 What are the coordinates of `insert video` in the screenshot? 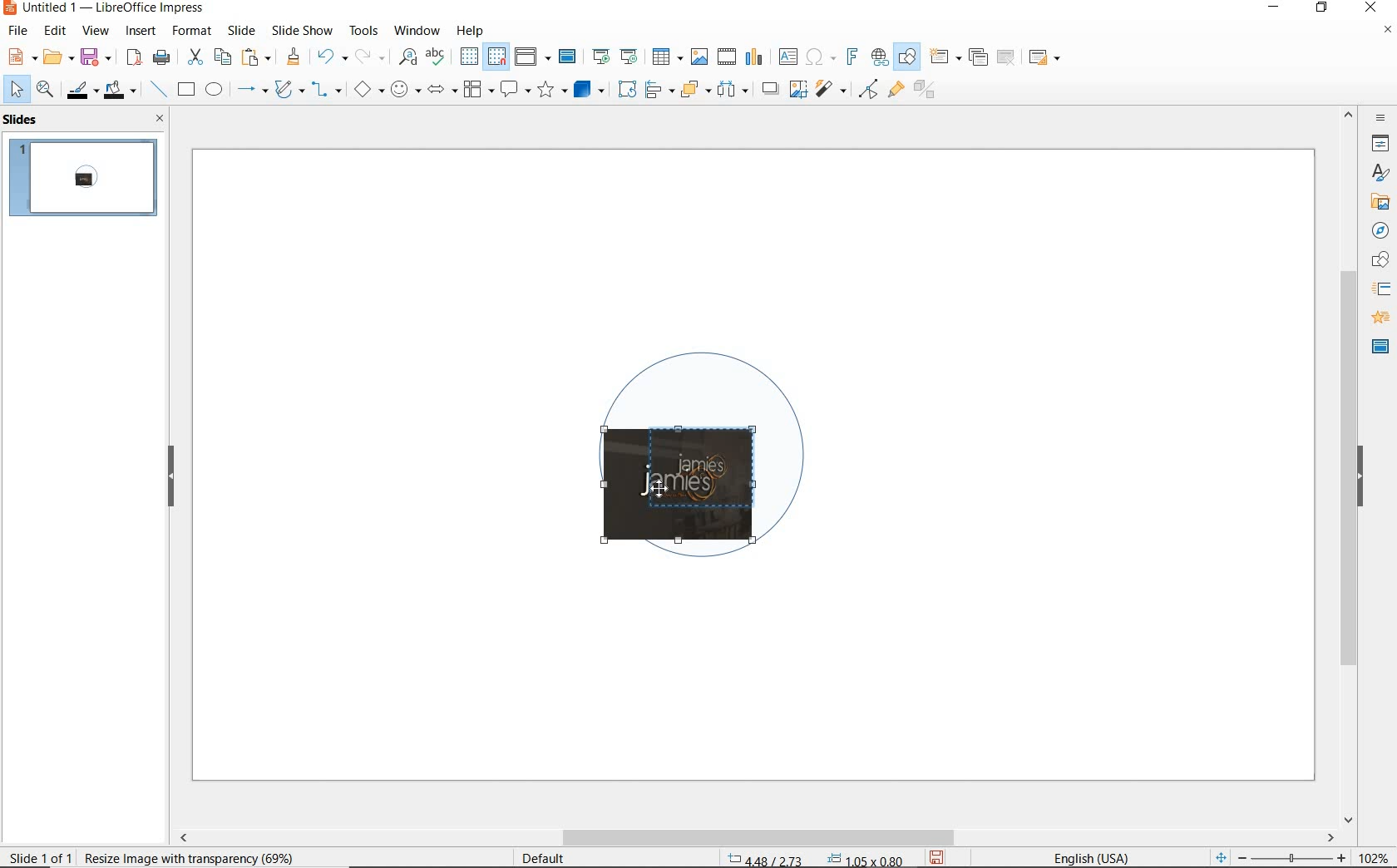 It's located at (725, 56).